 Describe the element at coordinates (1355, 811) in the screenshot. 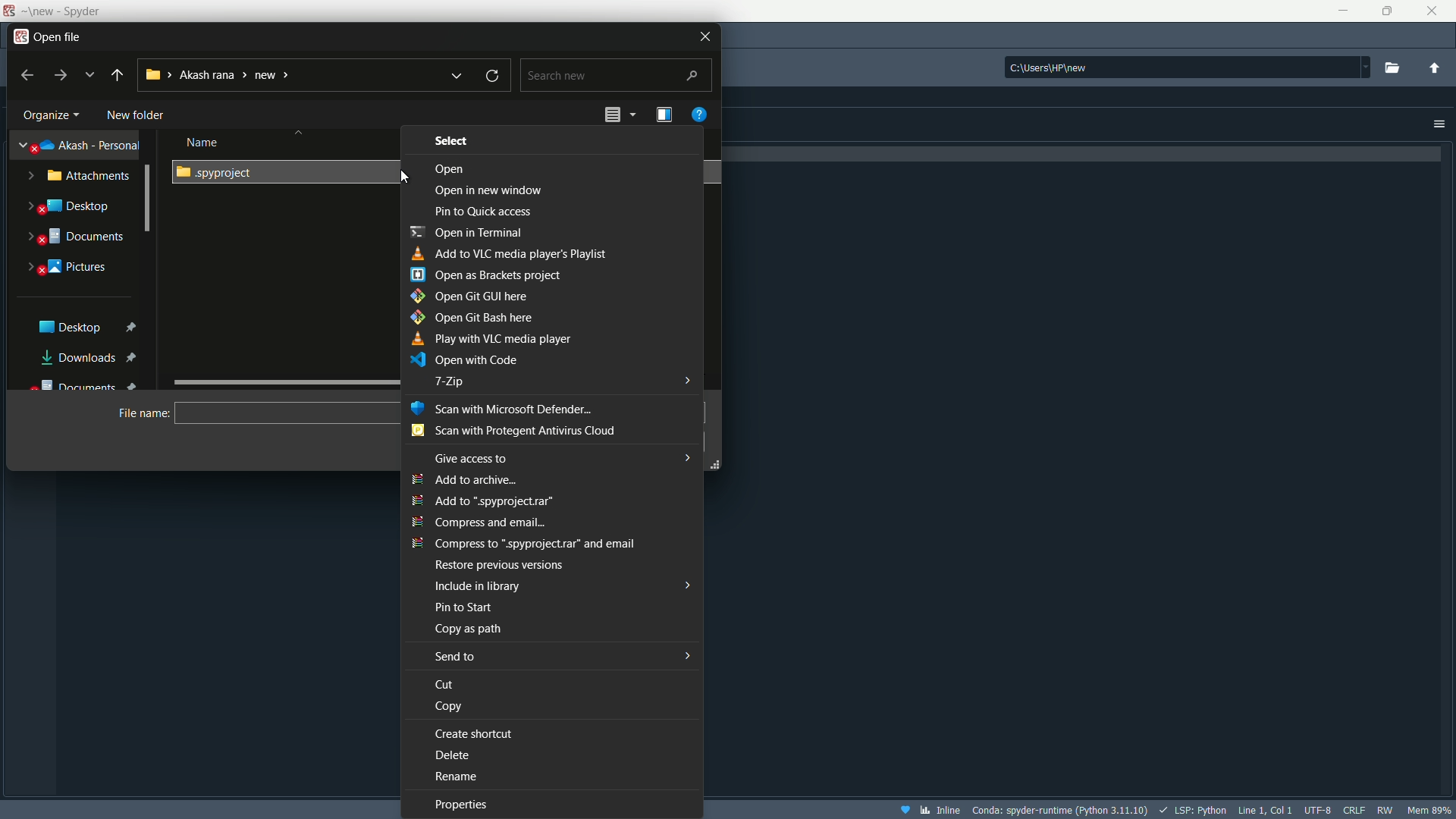

I see `file eol status` at that location.